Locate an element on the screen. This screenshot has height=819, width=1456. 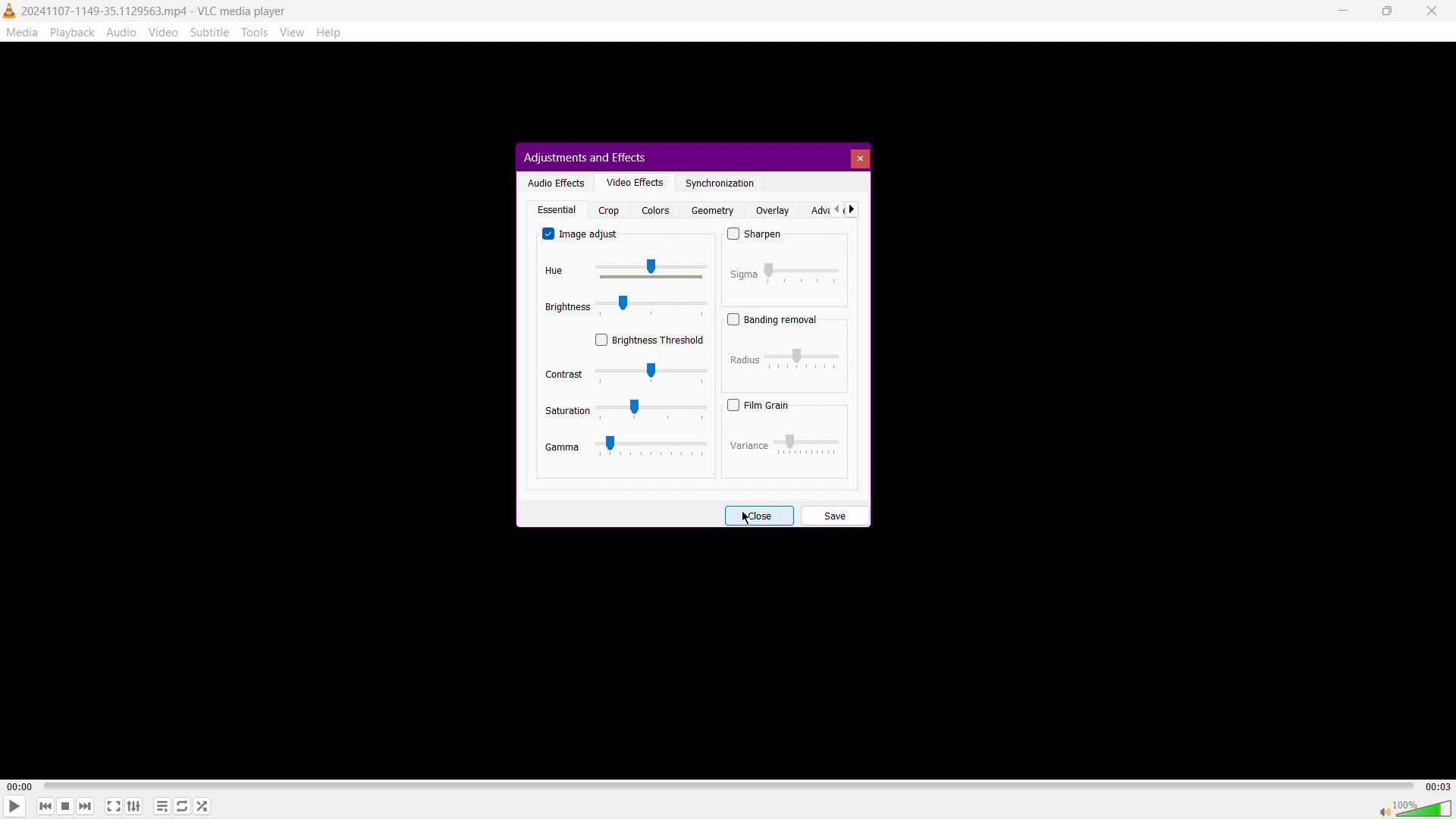
Extended Settings is located at coordinates (135, 807).